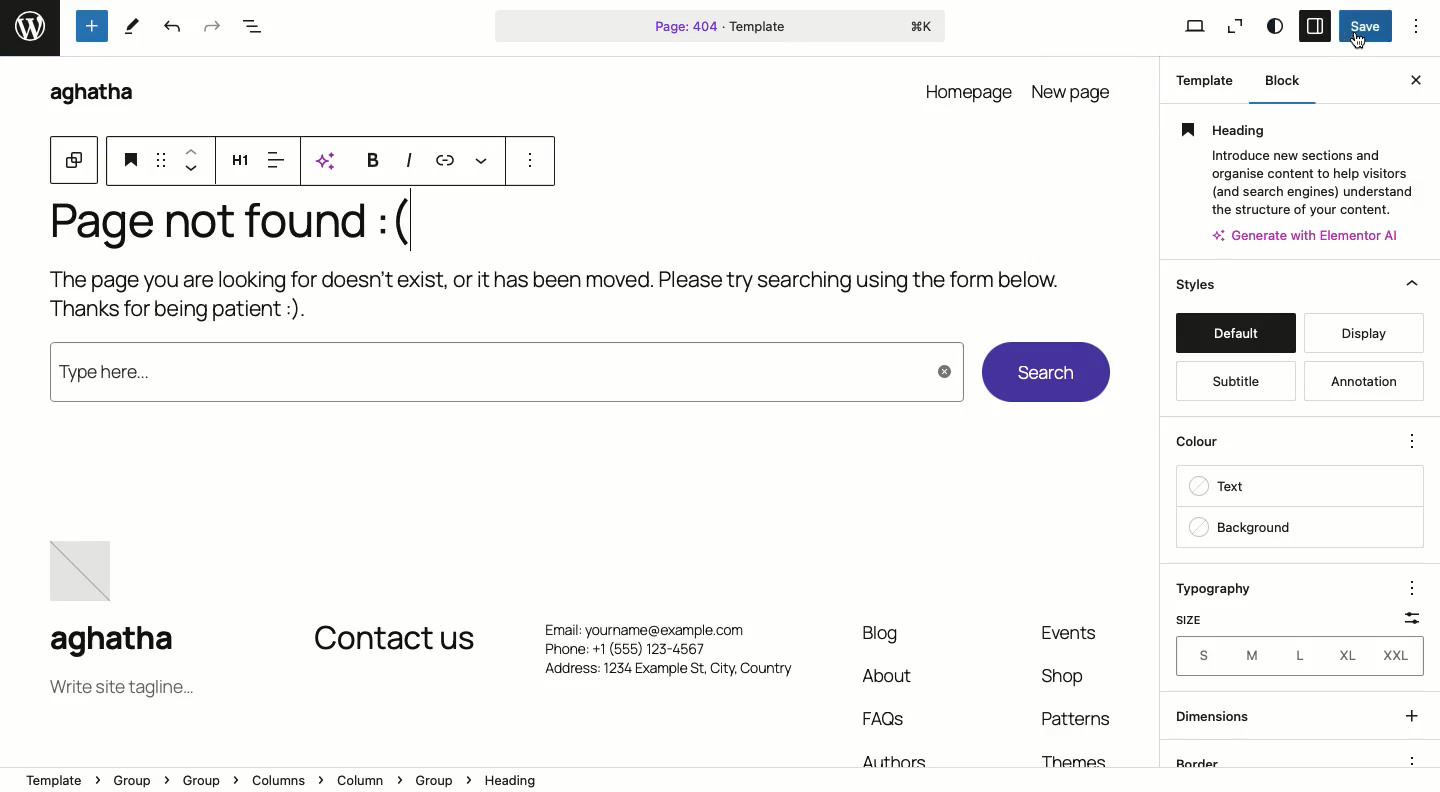  Describe the element at coordinates (252, 27) in the screenshot. I see `Document overview` at that location.